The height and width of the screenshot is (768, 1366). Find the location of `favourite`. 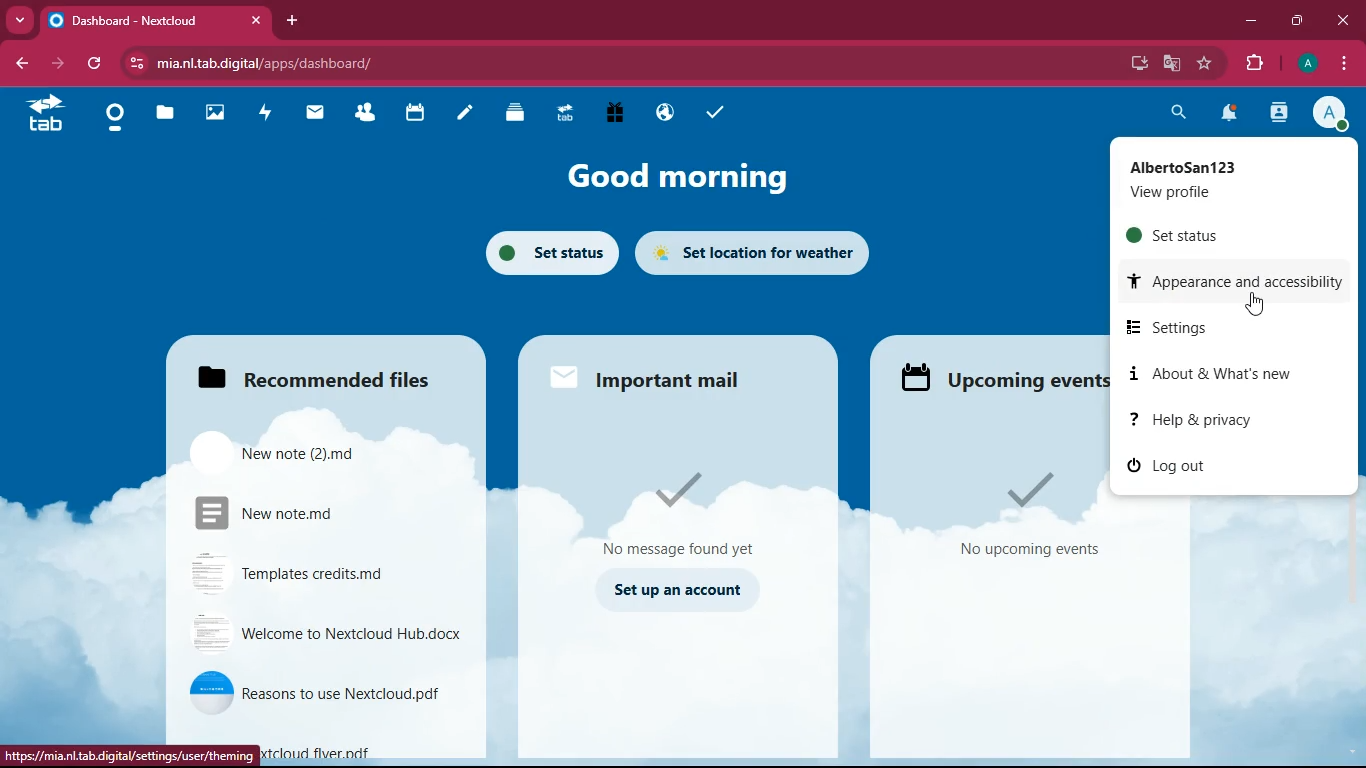

favourite is located at coordinates (1205, 63).